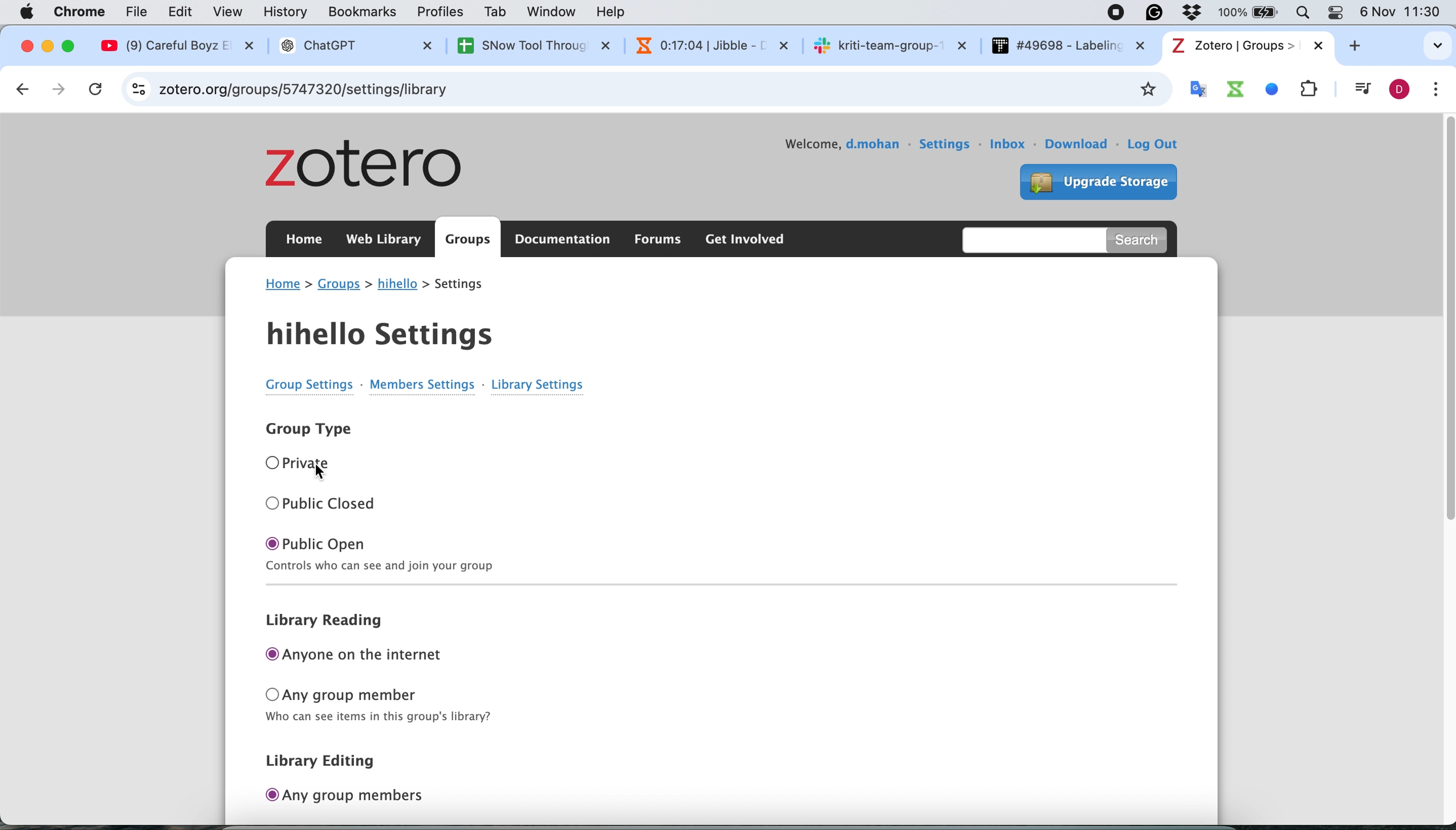 The height and width of the screenshot is (830, 1456). I want to click on bookmarks, so click(363, 14).